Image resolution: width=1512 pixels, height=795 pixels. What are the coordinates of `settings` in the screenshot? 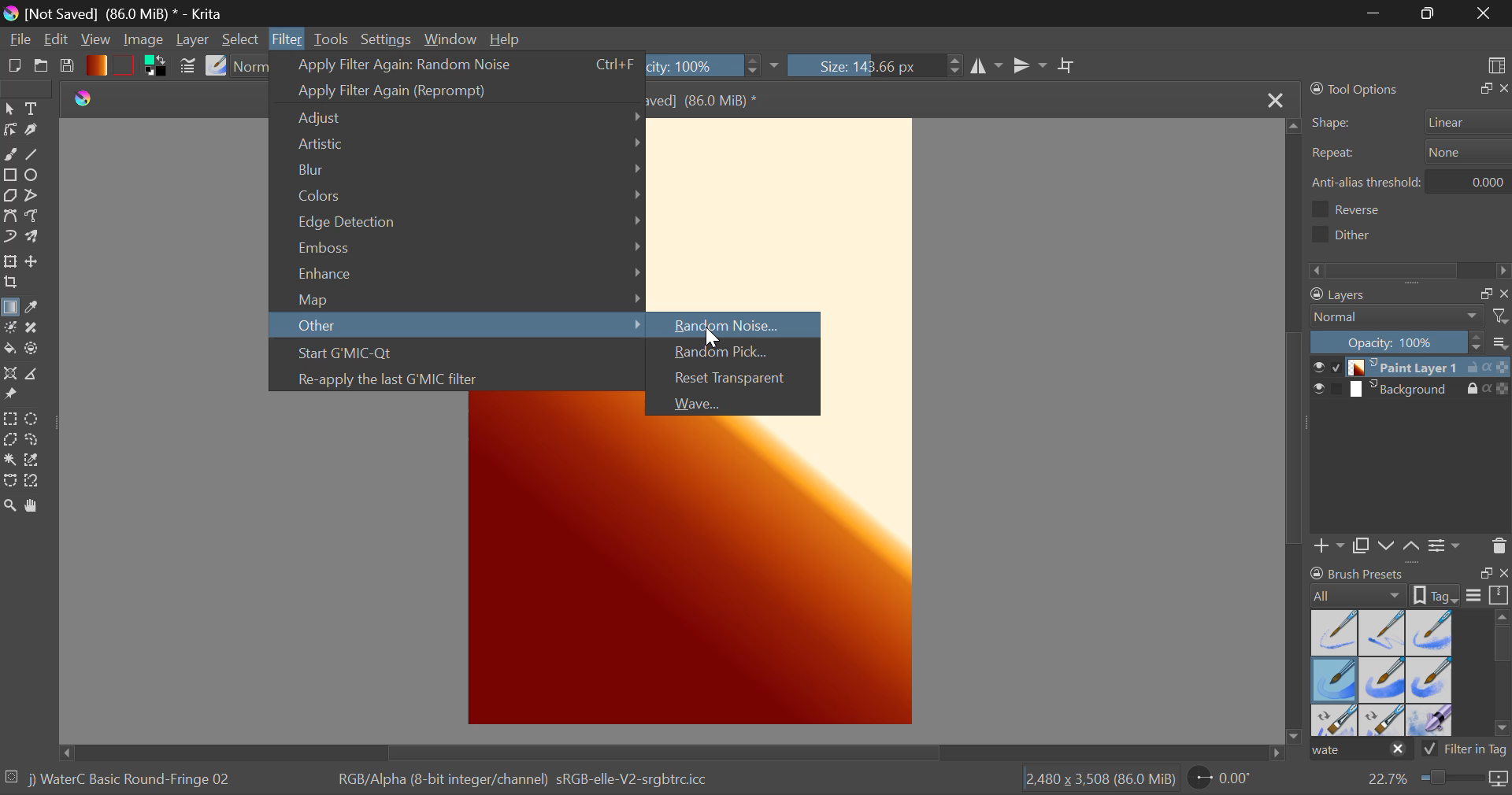 It's located at (1447, 544).